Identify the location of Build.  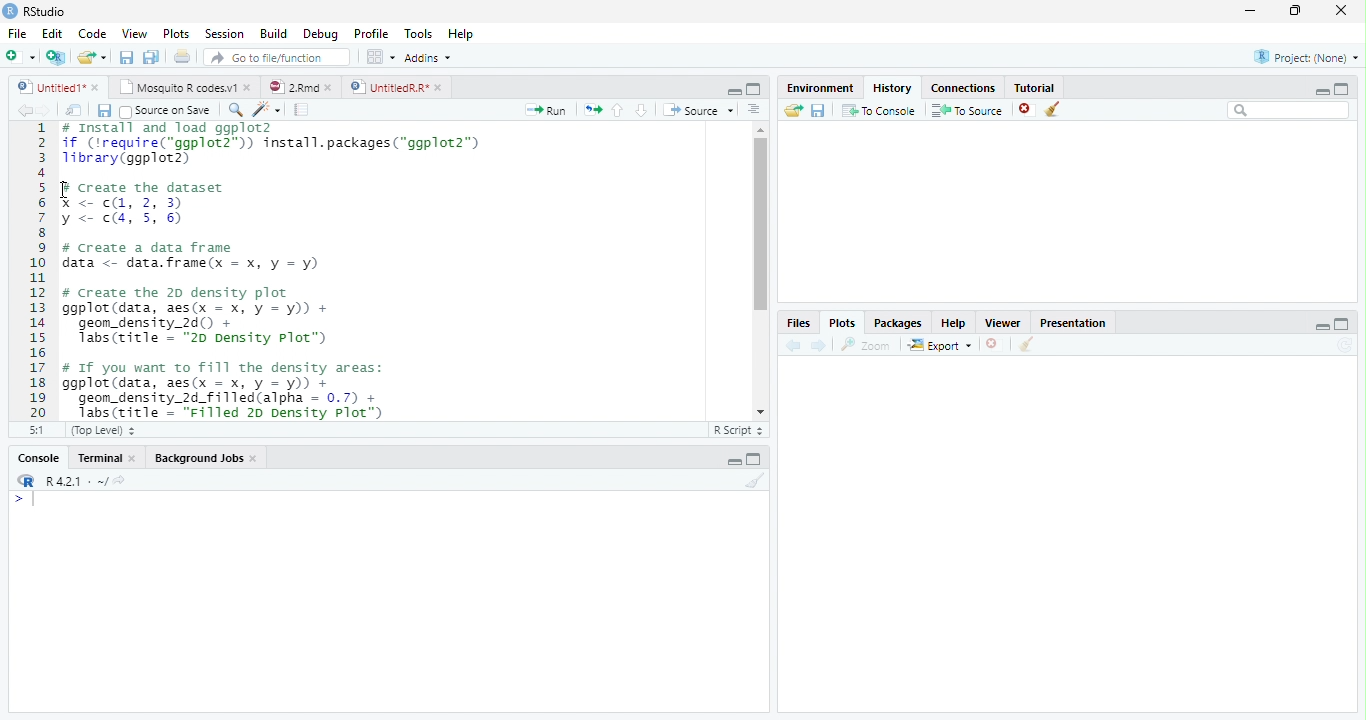
(273, 33).